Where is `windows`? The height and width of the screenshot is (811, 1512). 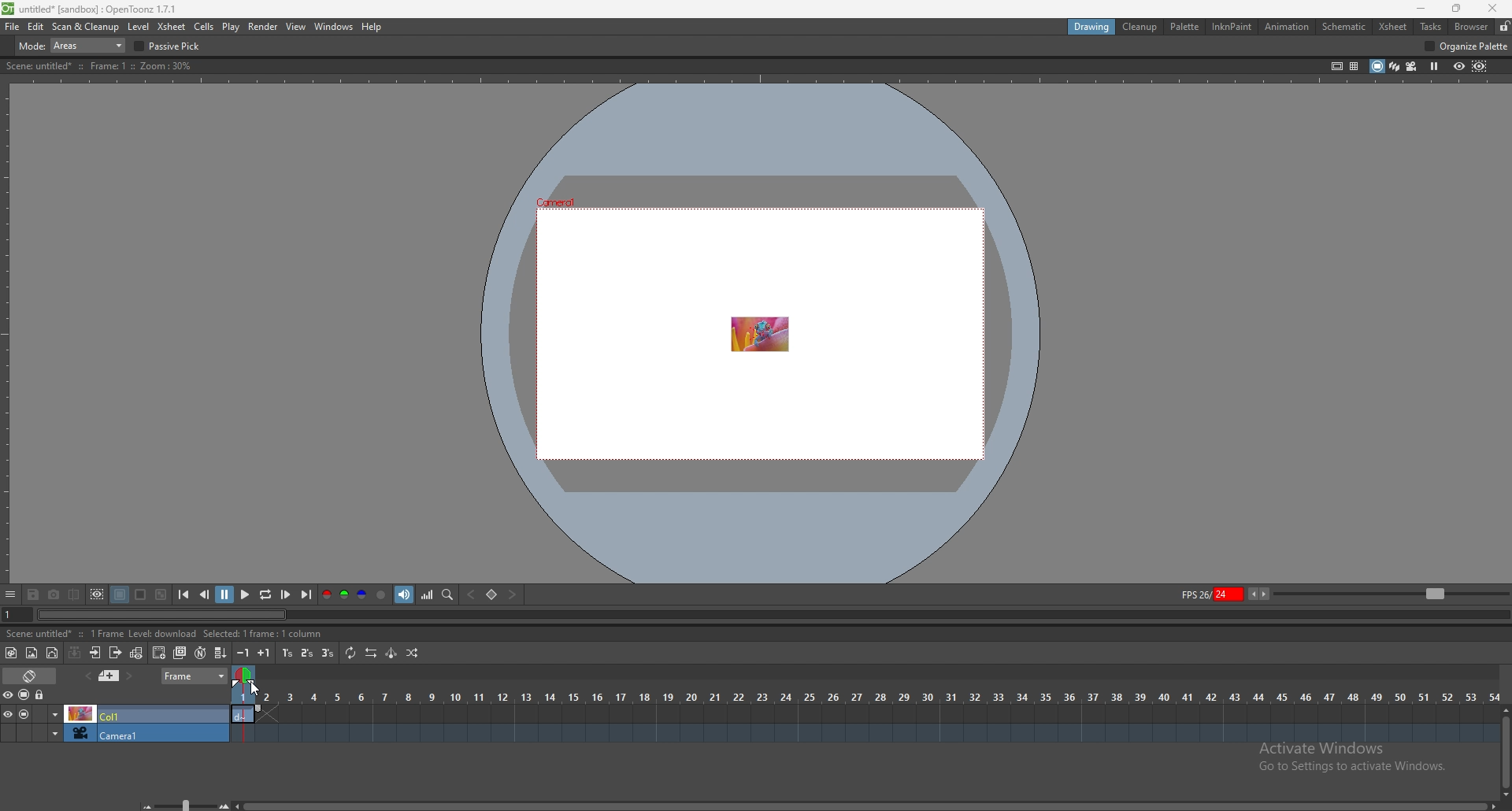 windows is located at coordinates (334, 27).